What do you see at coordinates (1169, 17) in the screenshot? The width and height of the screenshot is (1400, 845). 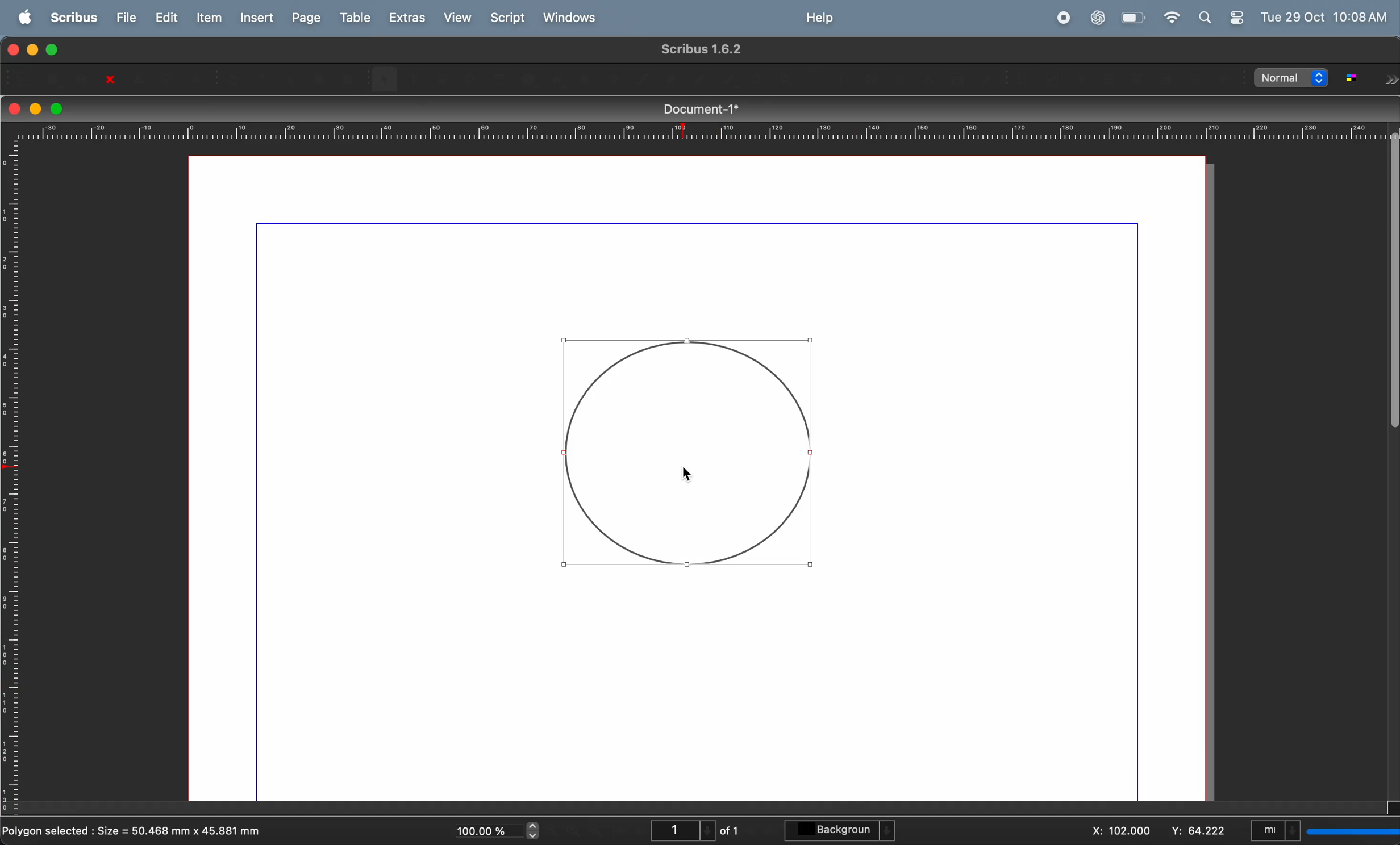 I see `wifi` at bounding box center [1169, 17].